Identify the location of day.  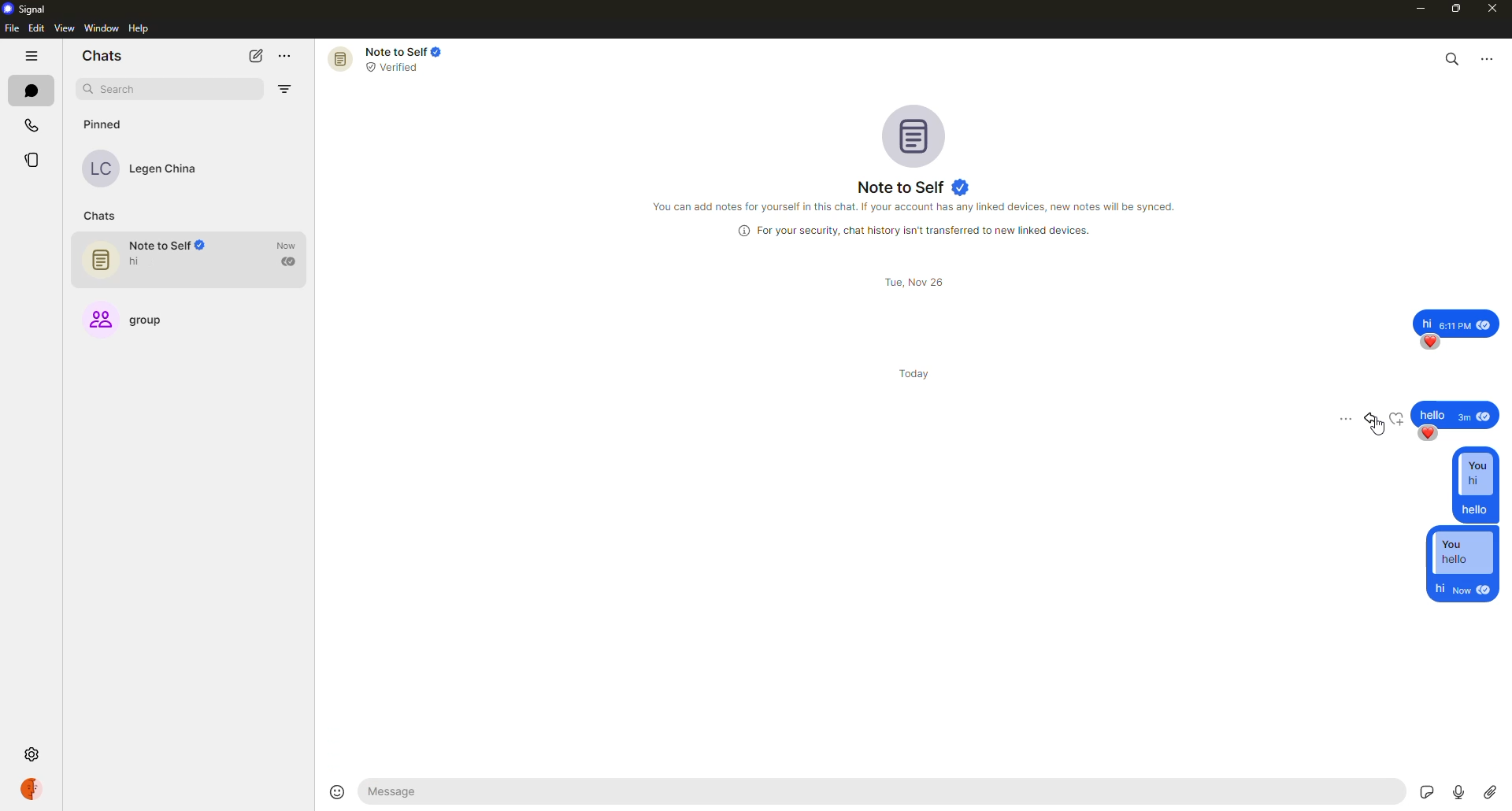
(920, 372).